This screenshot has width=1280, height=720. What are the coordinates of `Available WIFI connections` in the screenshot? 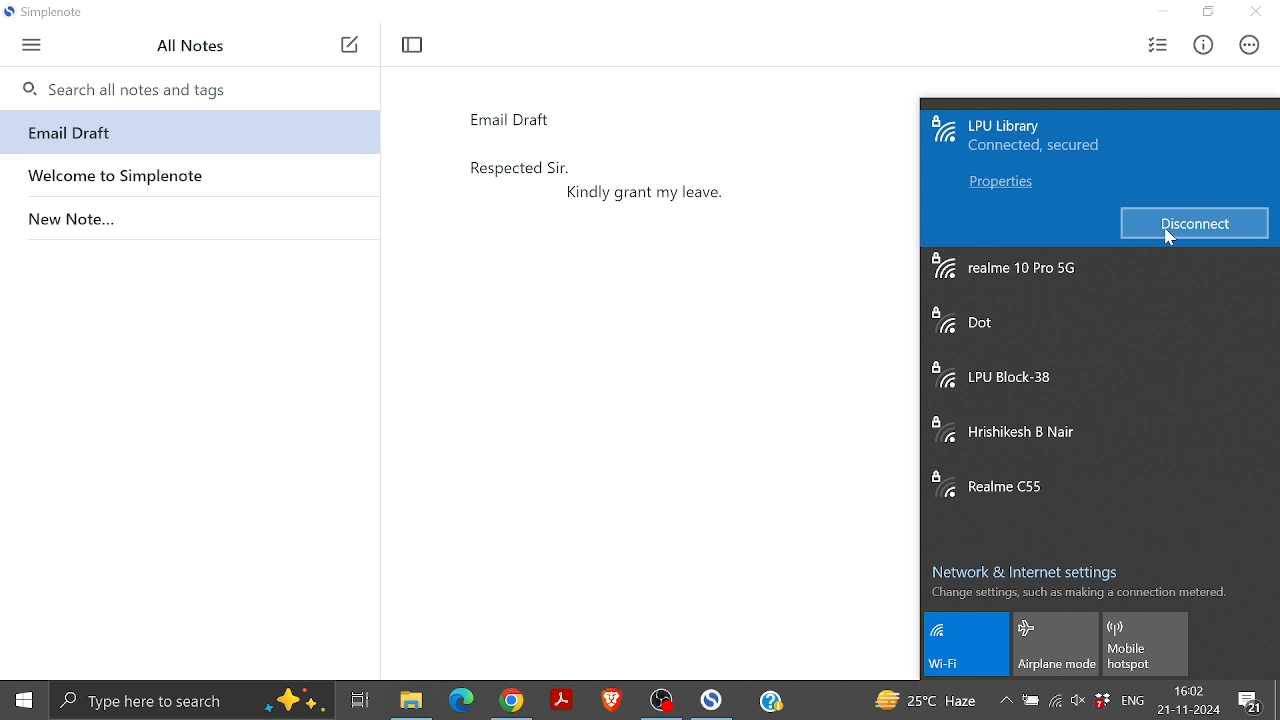 It's located at (1097, 389).